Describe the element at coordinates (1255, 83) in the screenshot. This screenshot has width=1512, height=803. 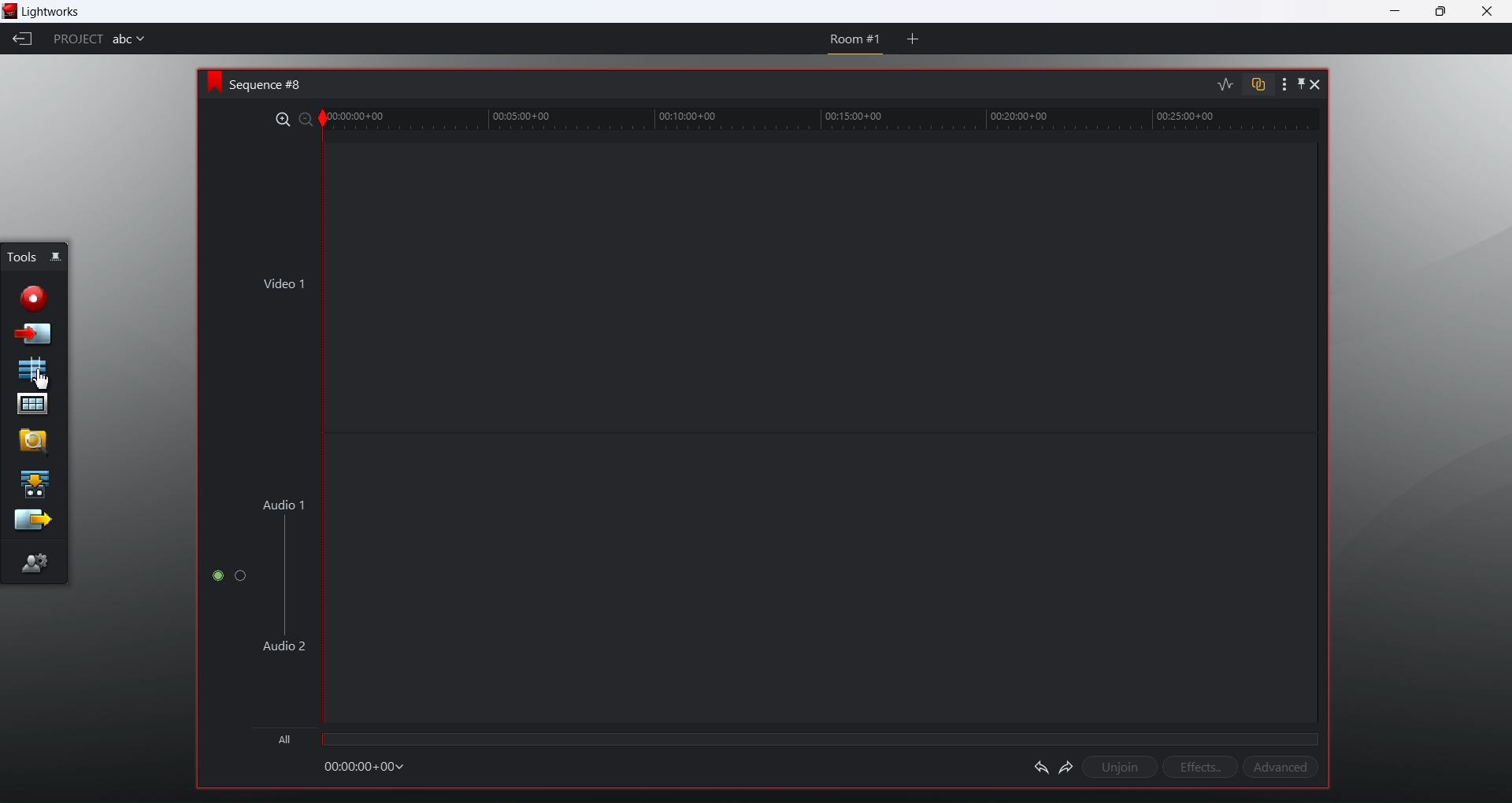
I see `auto track` at that location.